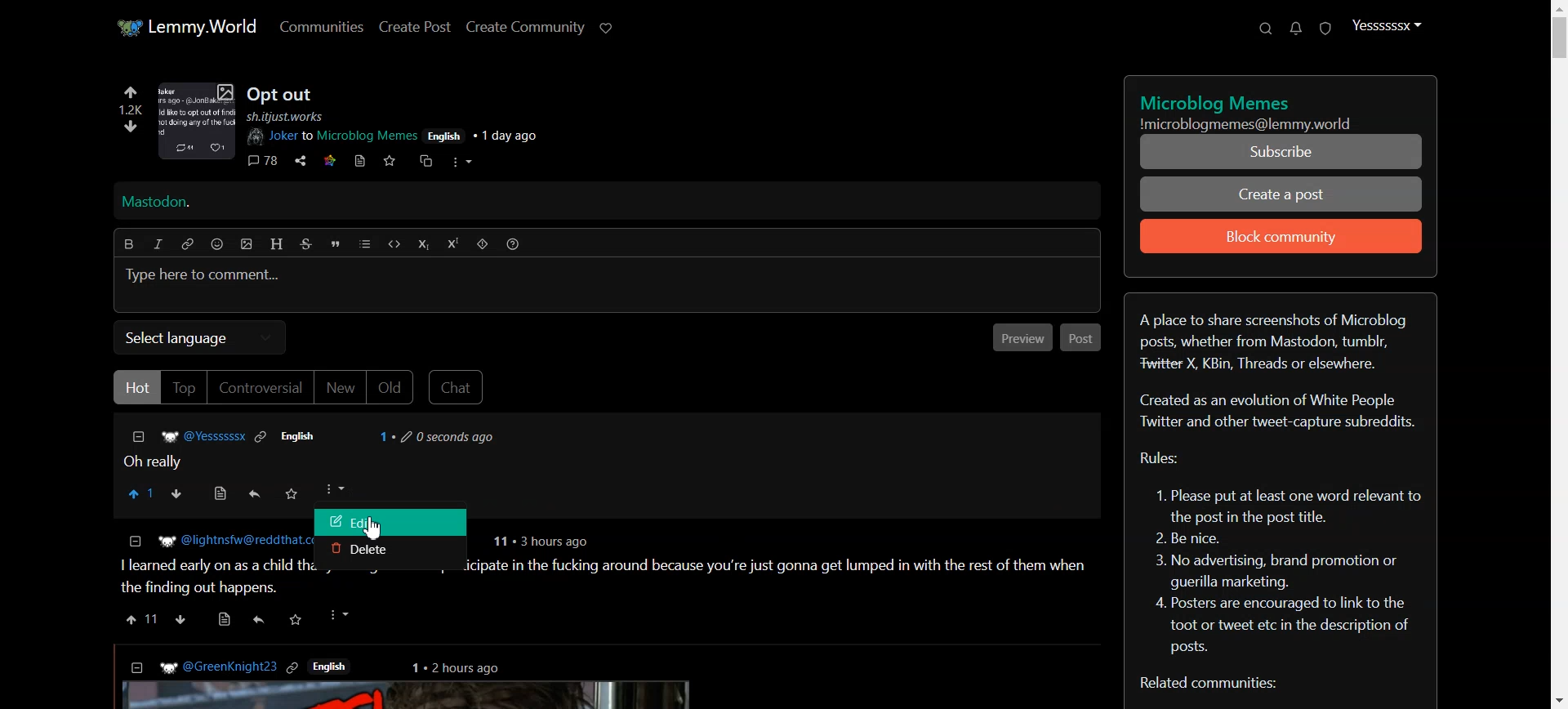 Image resolution: width=1568 pixels, height=709 pixels. What do you see at coordinates (336, 243) in the screenshot?
I see `Quote` at bounding box center [336, 243].